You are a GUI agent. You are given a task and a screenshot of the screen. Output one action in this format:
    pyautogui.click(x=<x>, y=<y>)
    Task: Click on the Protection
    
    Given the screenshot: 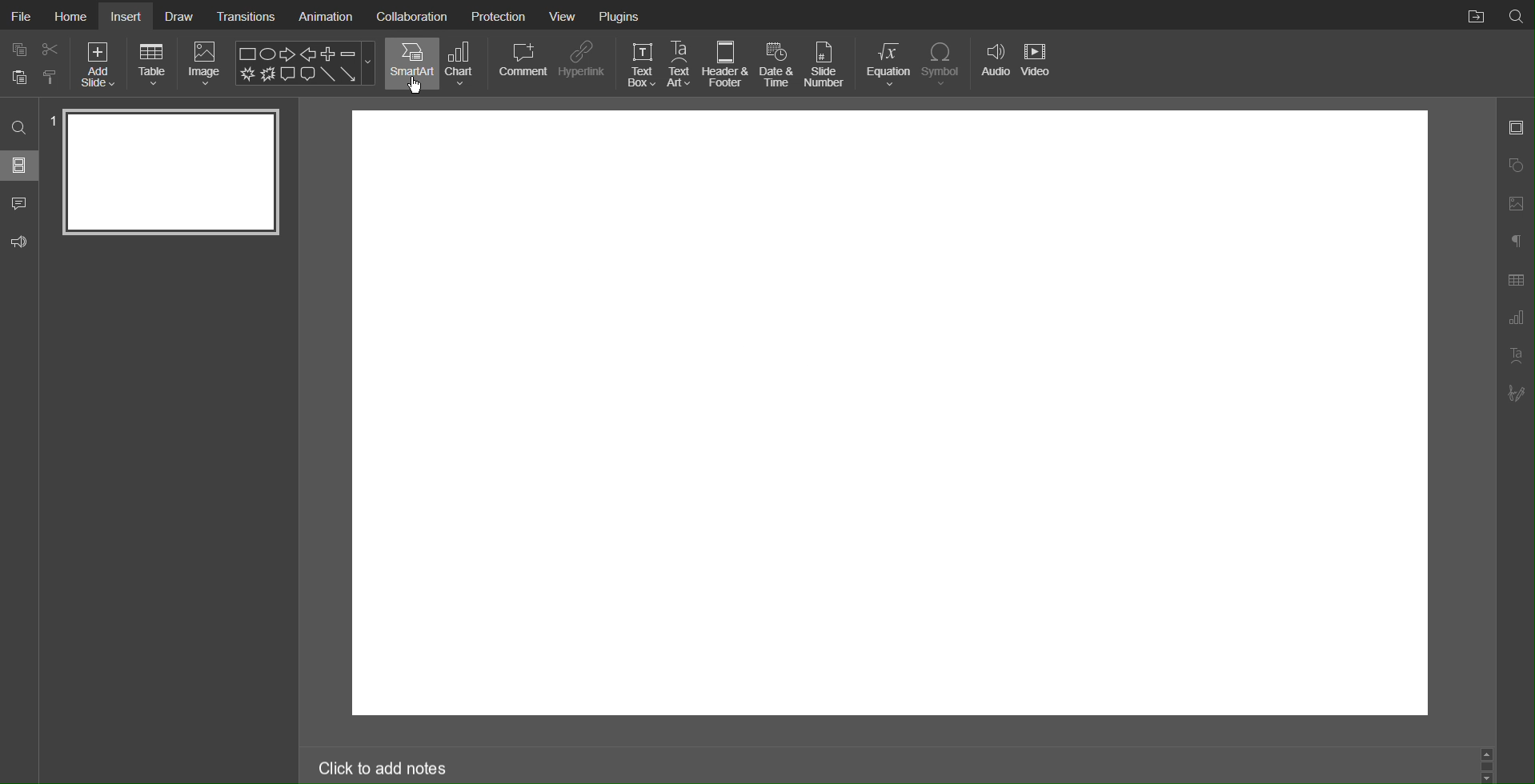 What is the action you would take?
    pyautogui.click(x=501, y=18)
    